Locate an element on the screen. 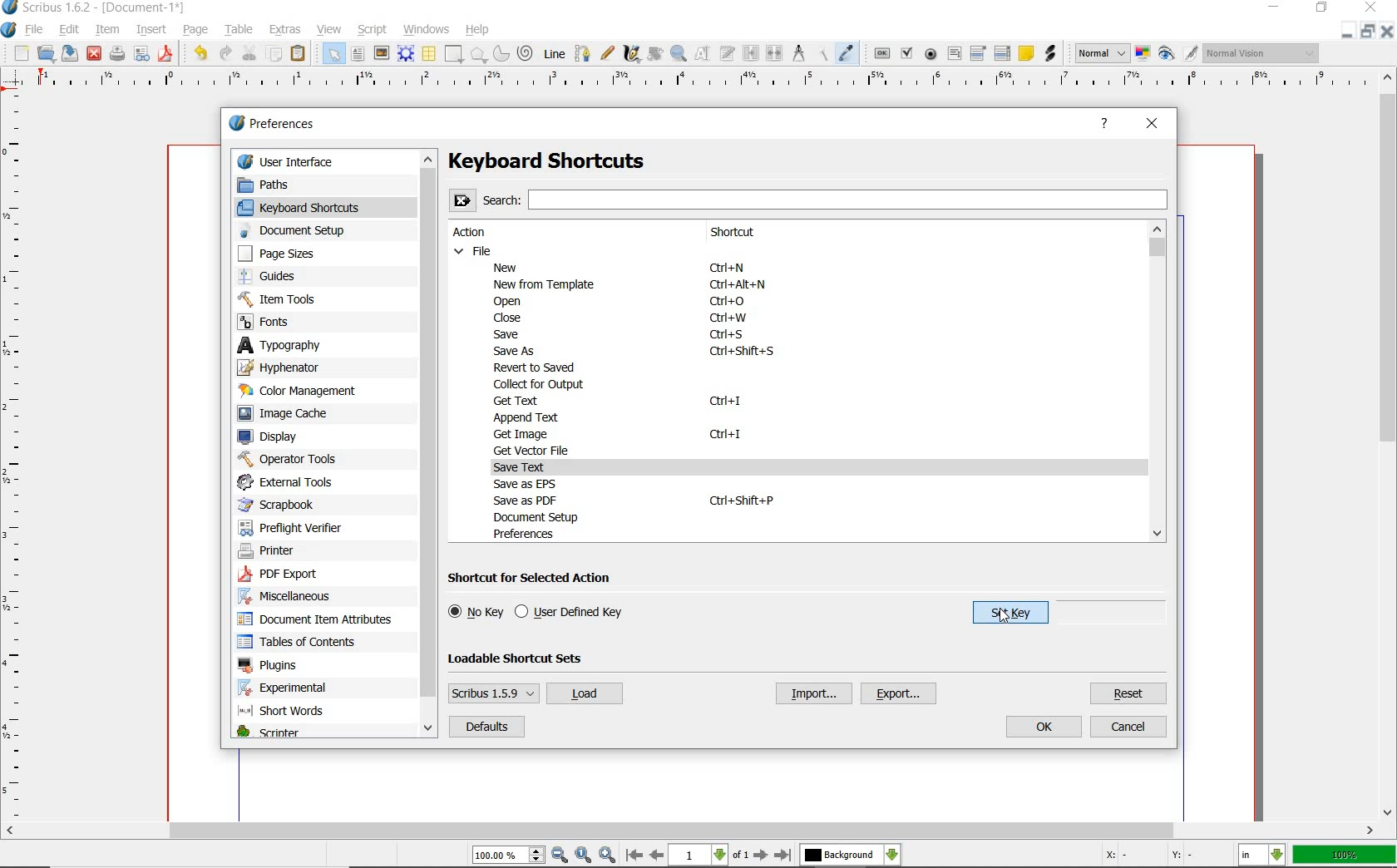 Image resolution: width=1397 pixels, height=868 pixels. ruler is located at coordinates (15, 459).